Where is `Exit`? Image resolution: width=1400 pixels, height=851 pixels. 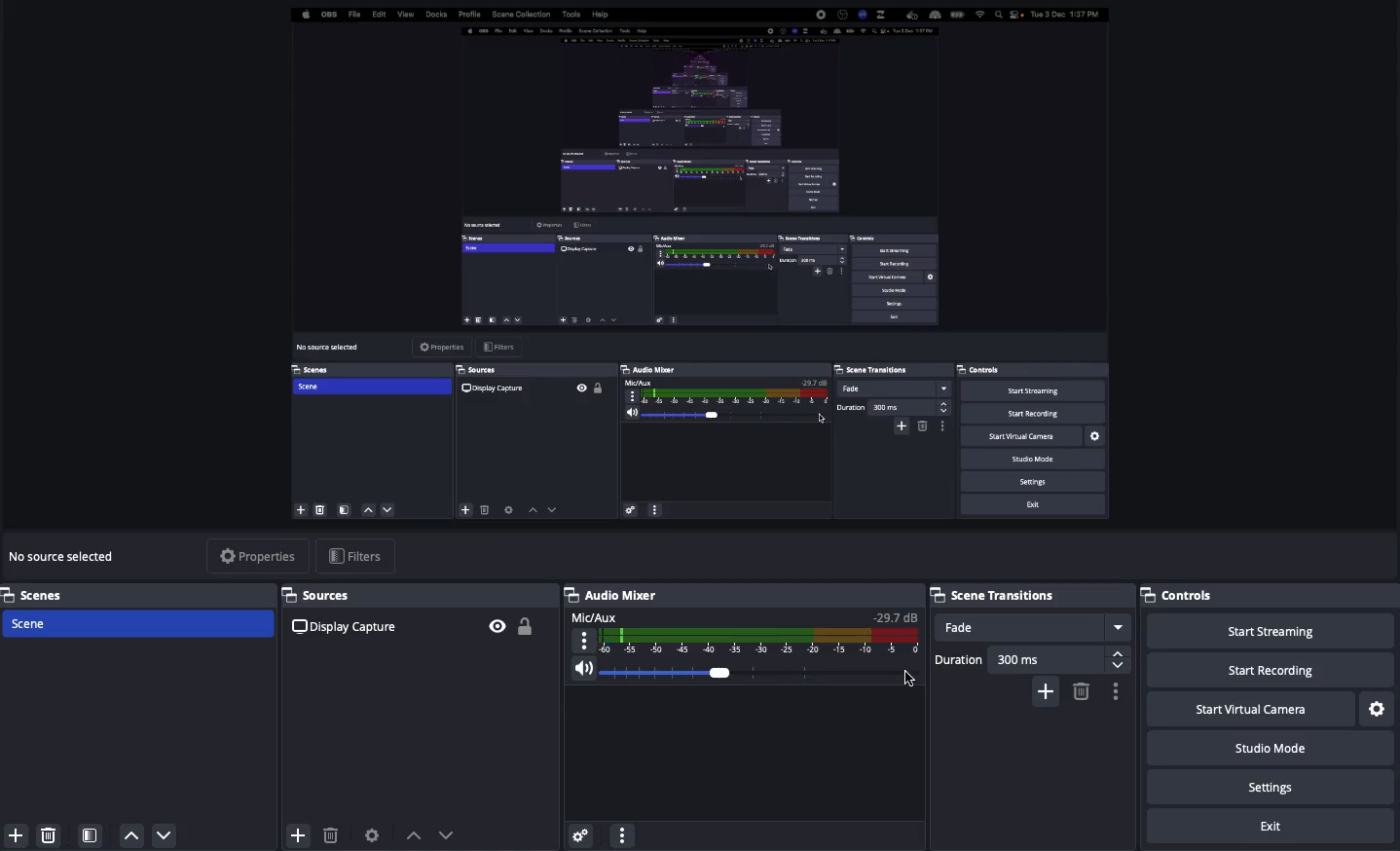 Exit is located at coordinates (1273, 827).